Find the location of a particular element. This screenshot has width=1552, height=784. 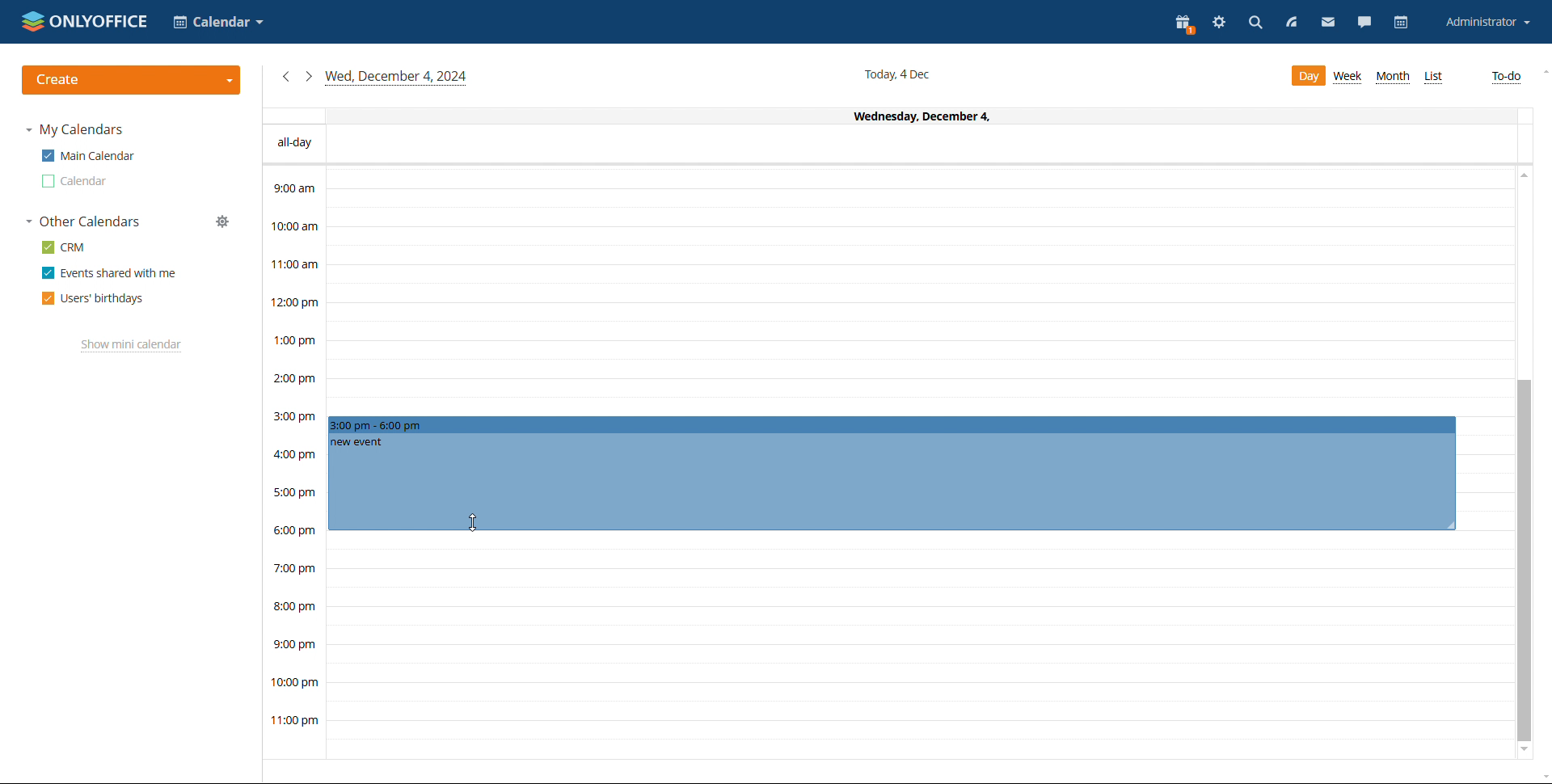

show mini calendar is located at coordinates (131, 346).